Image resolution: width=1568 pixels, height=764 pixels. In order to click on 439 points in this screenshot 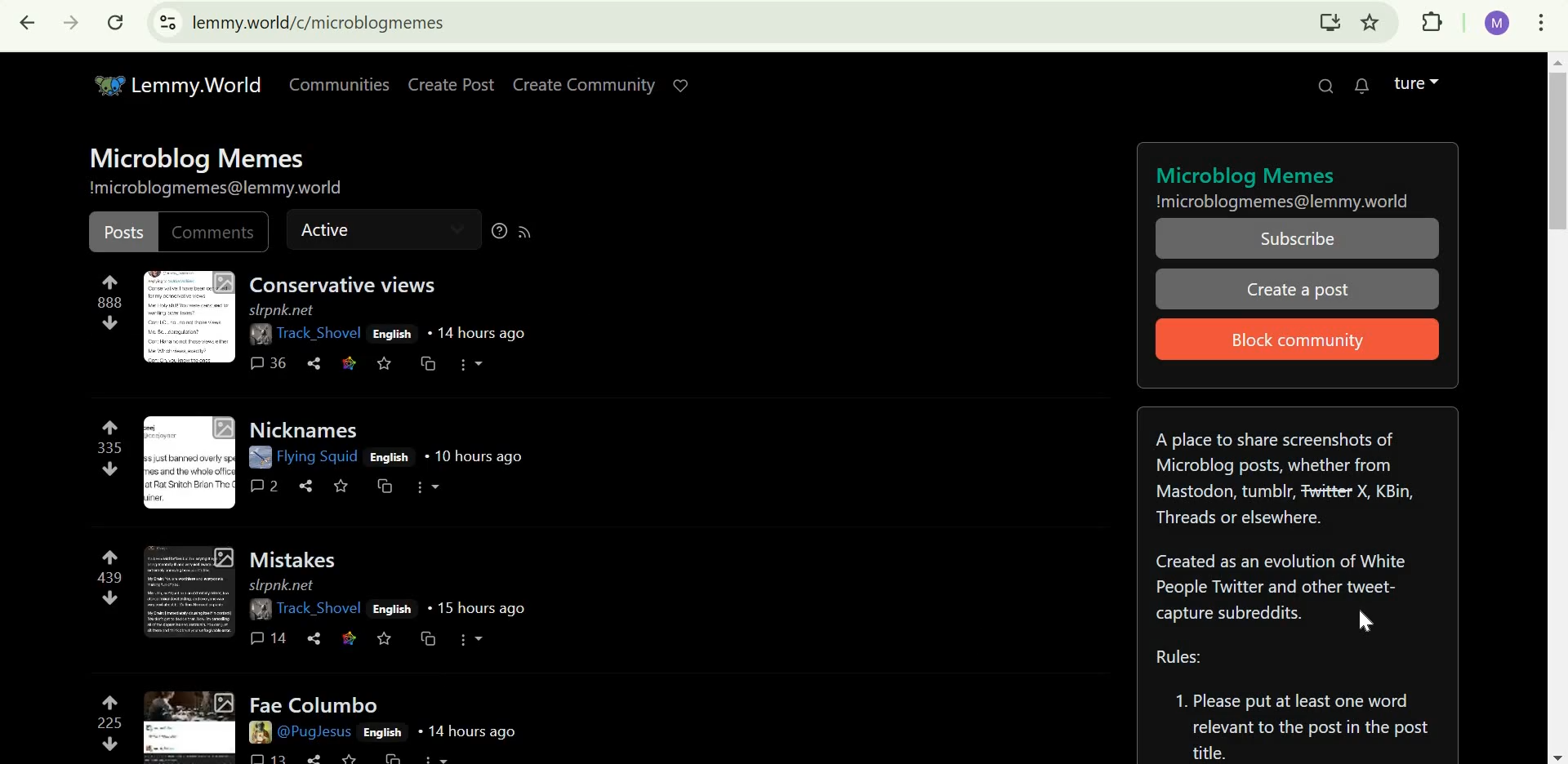, I will do `click(111, 578)`.